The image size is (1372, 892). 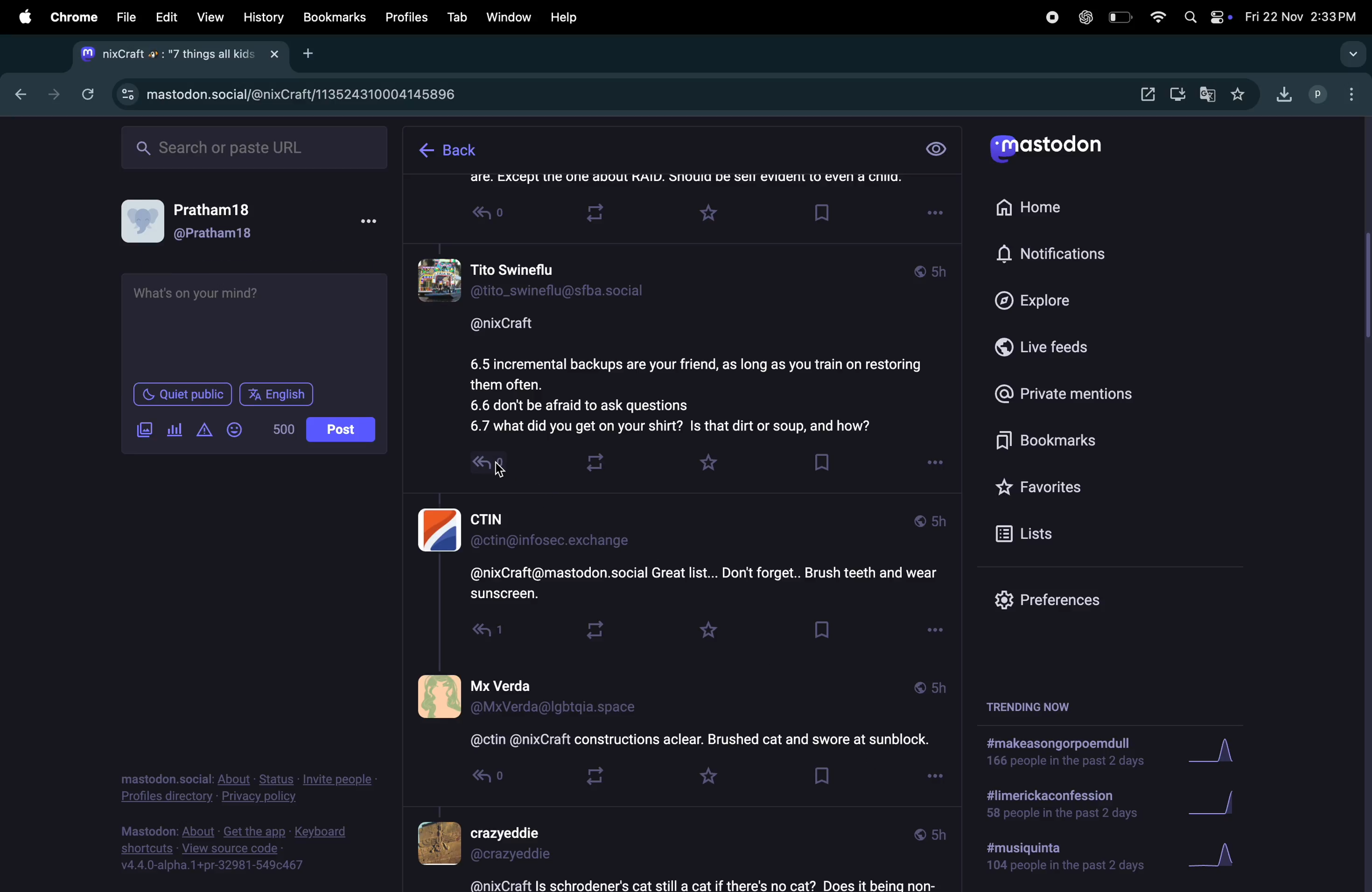 What do you see at coordinates (707, 464) in the screenshot?
I see `favourites` at bounding box center [707, 464].